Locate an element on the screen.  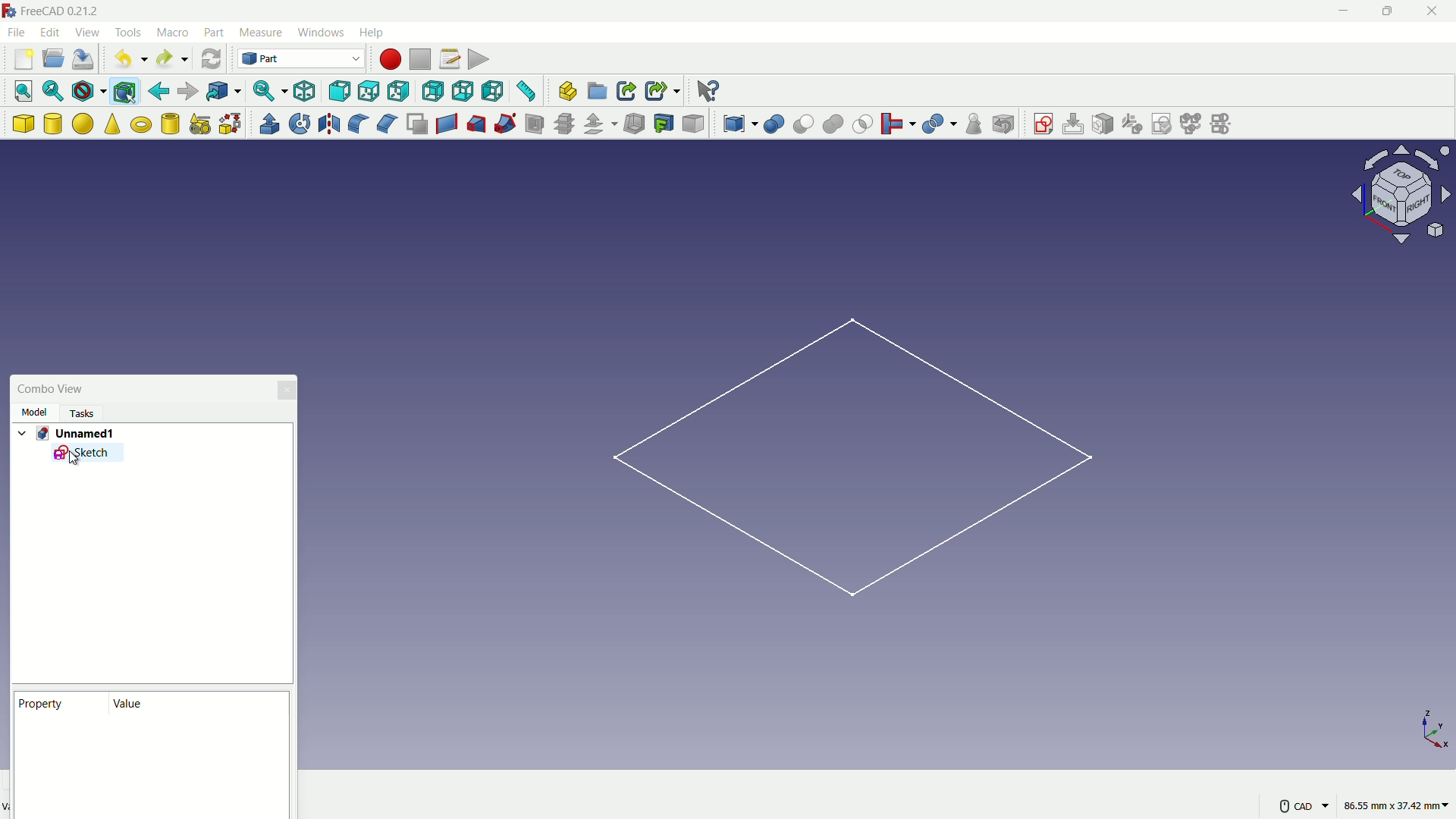
Cursor is located at coordinates (75, 463).